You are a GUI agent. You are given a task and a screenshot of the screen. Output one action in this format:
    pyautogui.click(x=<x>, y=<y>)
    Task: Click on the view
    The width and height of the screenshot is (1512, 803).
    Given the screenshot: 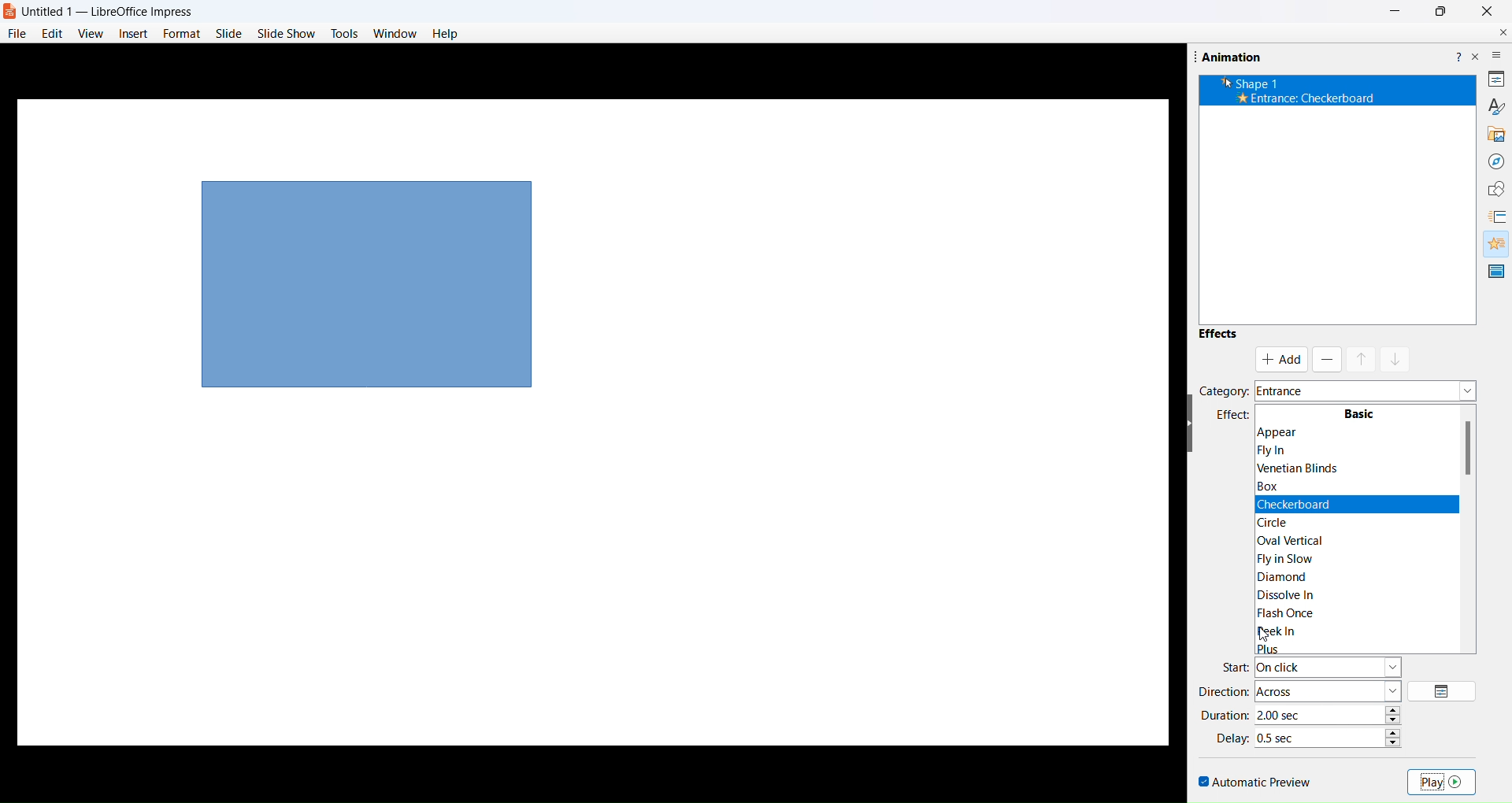 What is the action you would take?
    pyautogui.click(x=90, y=34)
    